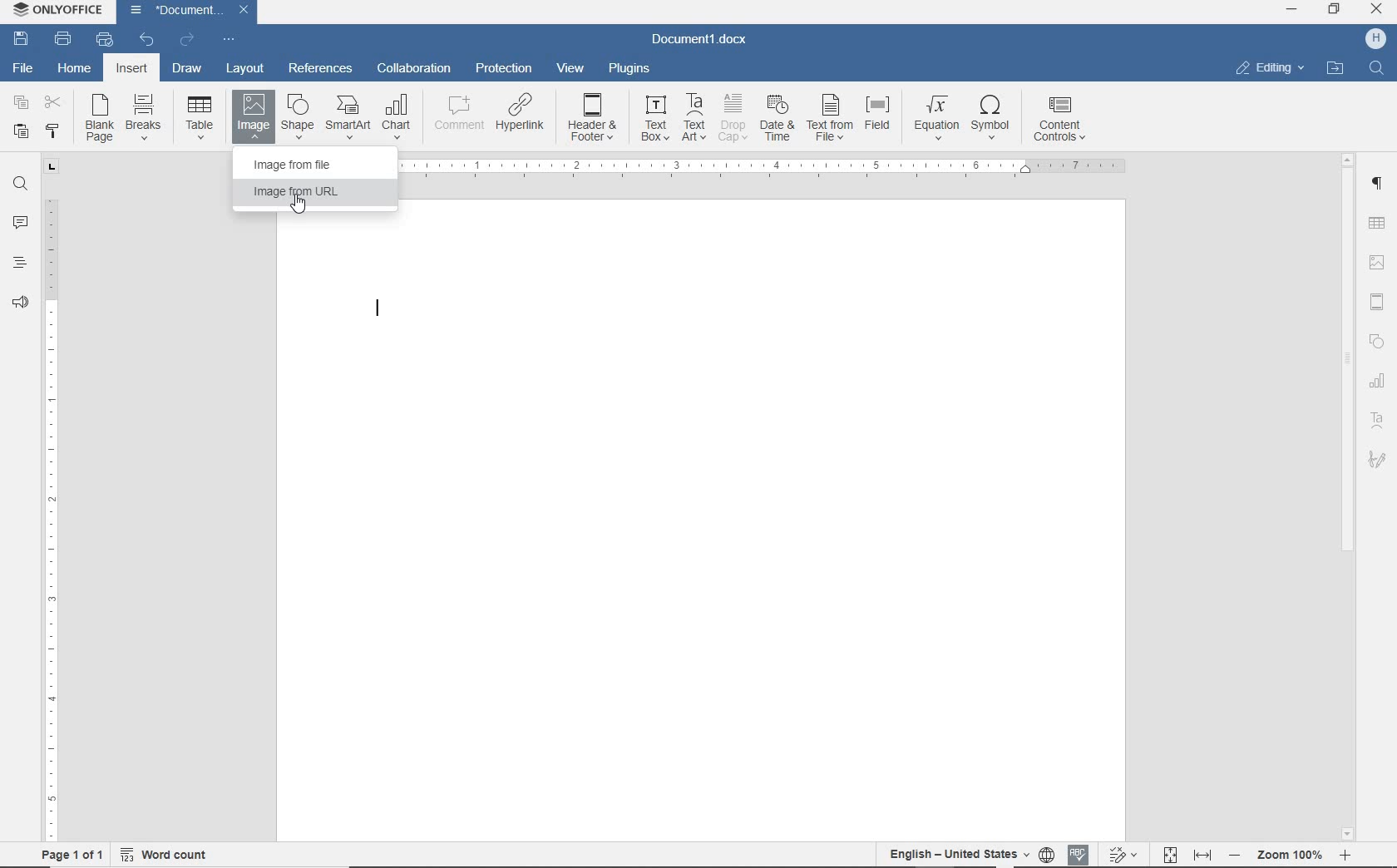 This screenshot has width=1397, height=868. Describe the element at coordinates (1171, 854) in the screenshot. I see `fit to page` at that location.